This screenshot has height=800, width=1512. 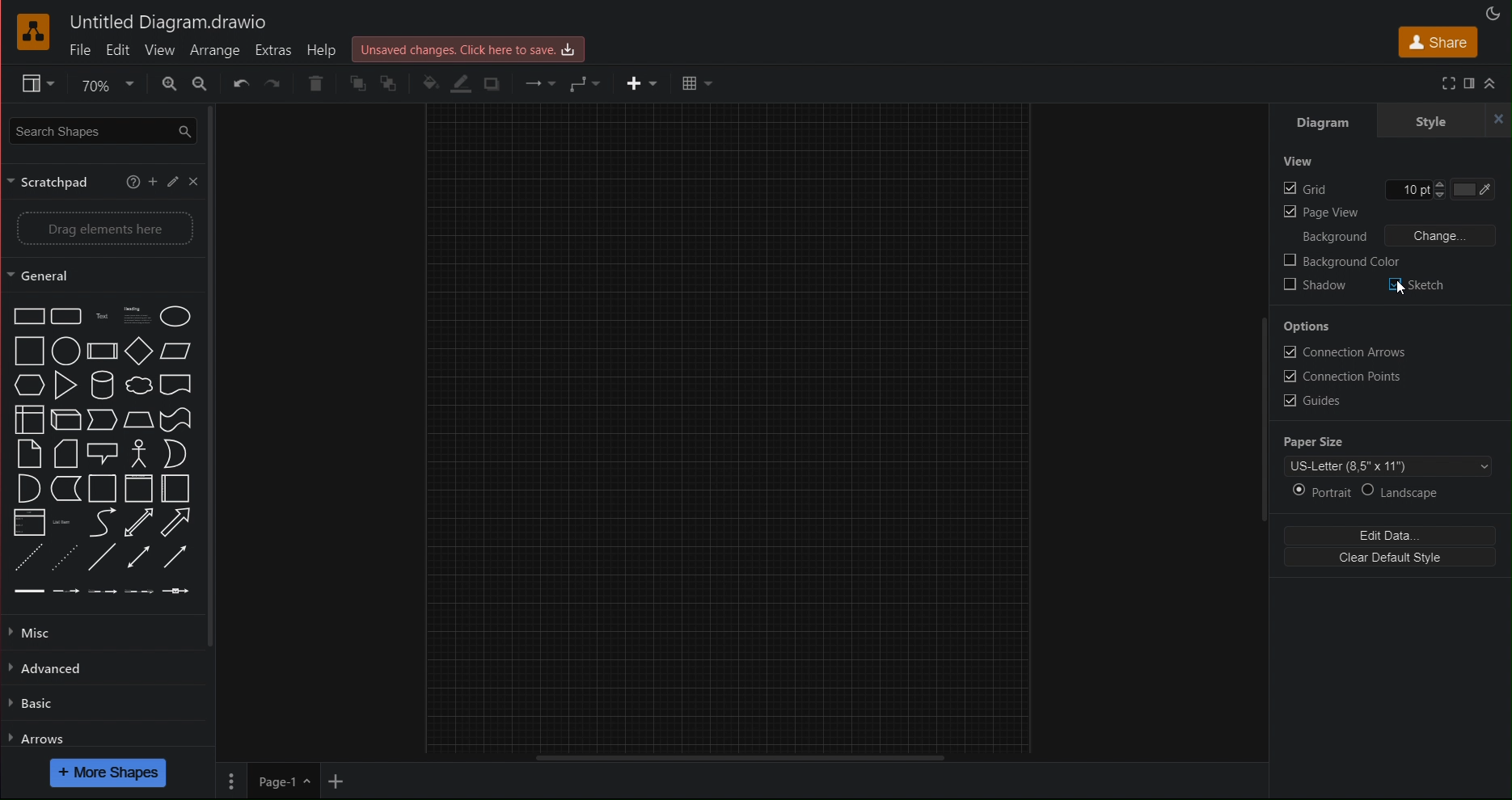 I want to click on Undo, so click(x=239, y=84).